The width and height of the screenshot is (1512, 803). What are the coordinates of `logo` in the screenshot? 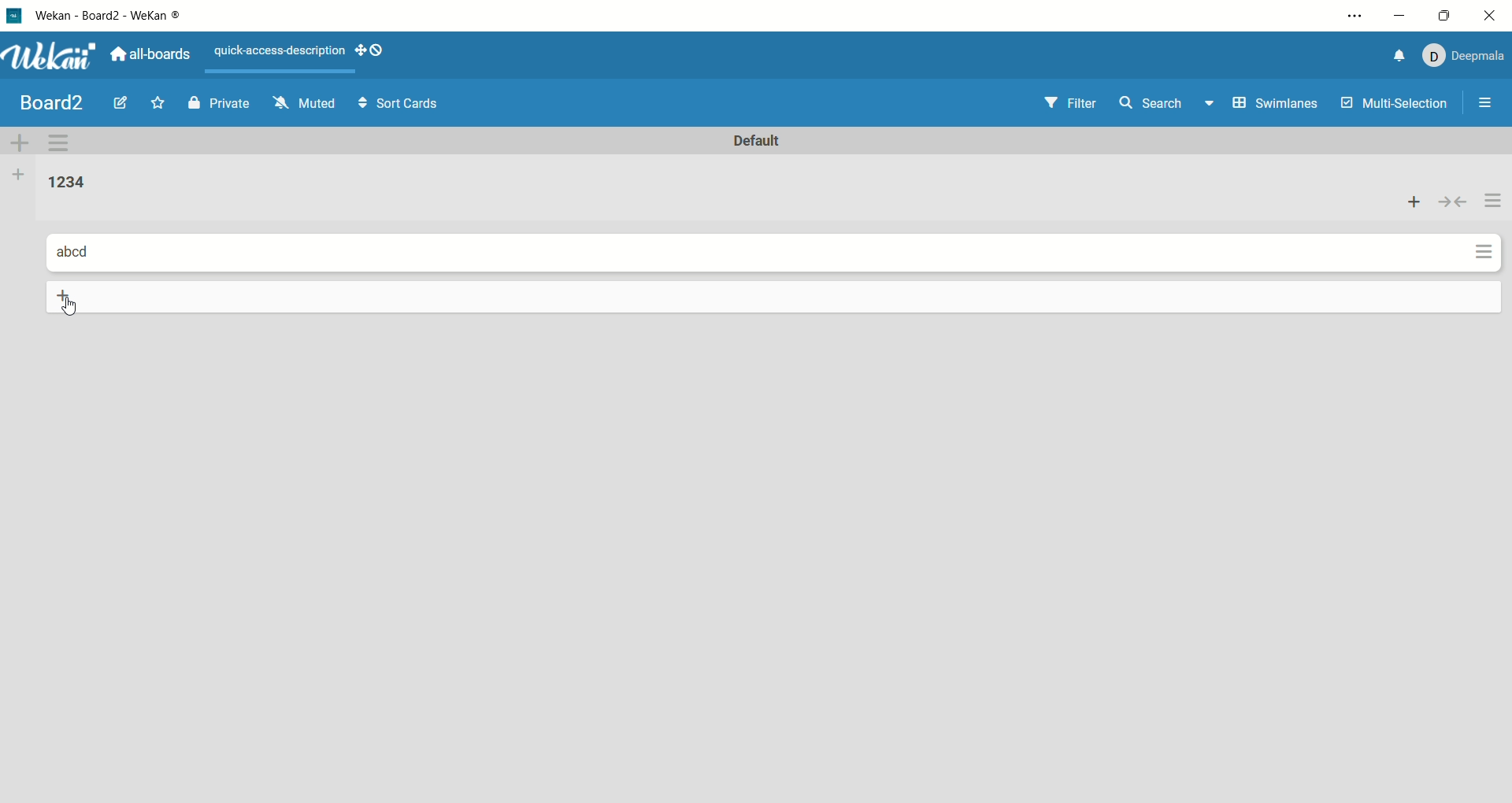 It's located at (17, 13).